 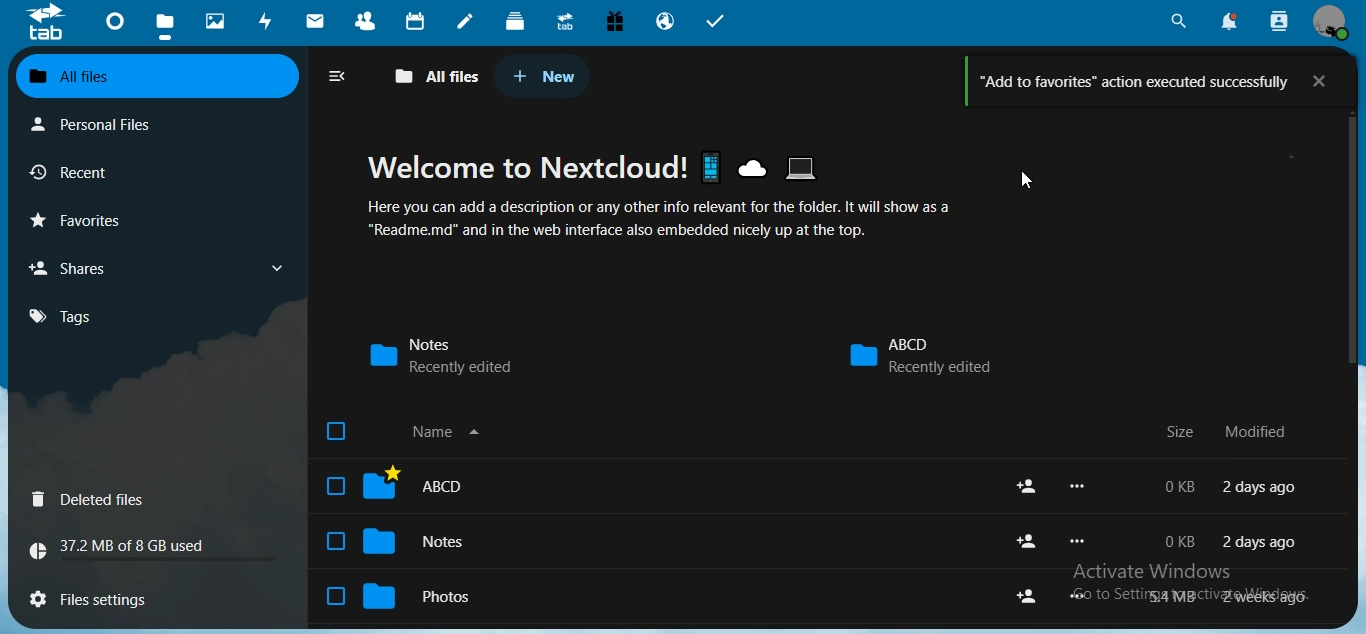 I want to click on ..., so click(x=1077, y=541).